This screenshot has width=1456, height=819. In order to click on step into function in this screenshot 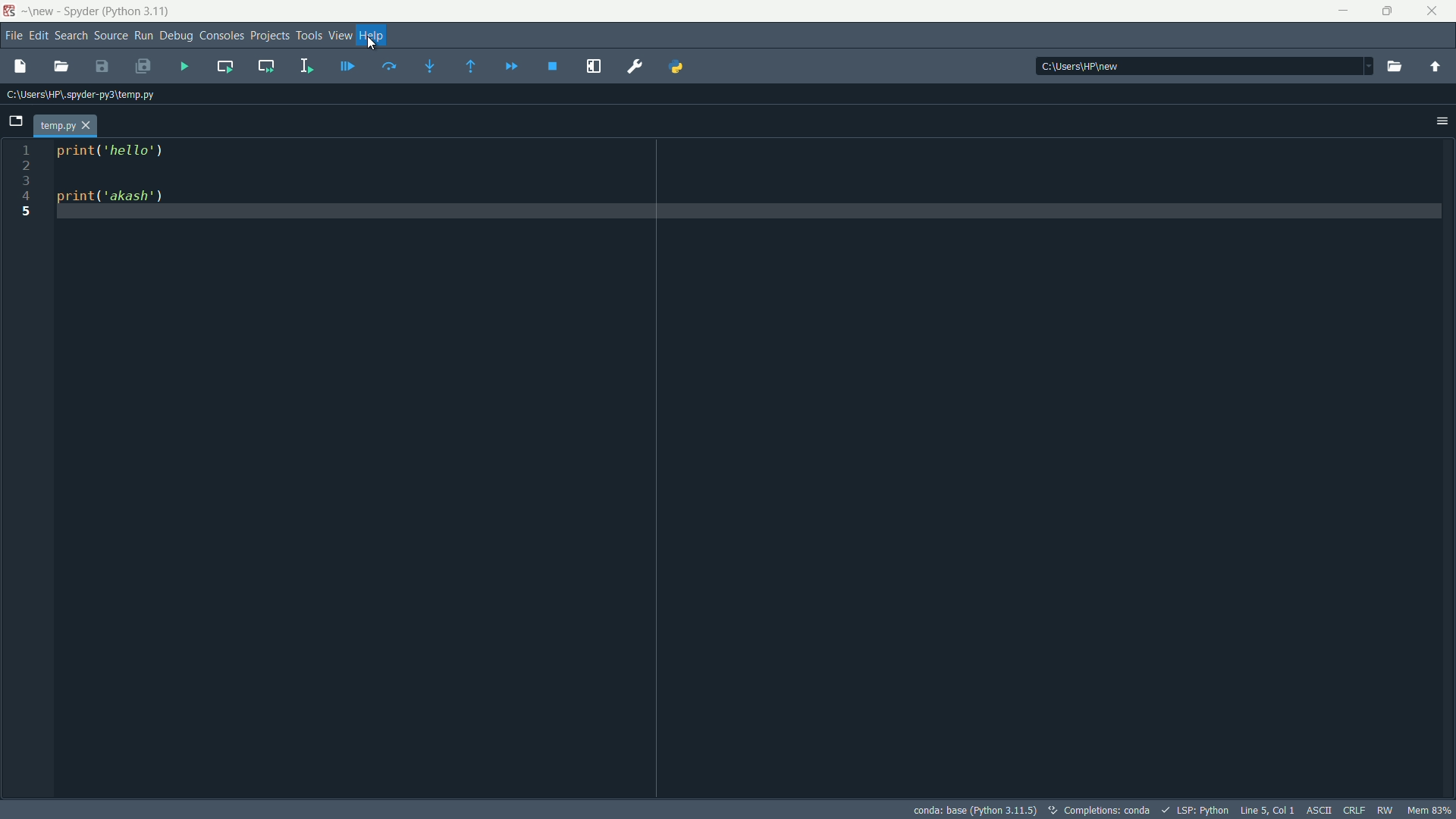, I will do `click(430, 66)`.